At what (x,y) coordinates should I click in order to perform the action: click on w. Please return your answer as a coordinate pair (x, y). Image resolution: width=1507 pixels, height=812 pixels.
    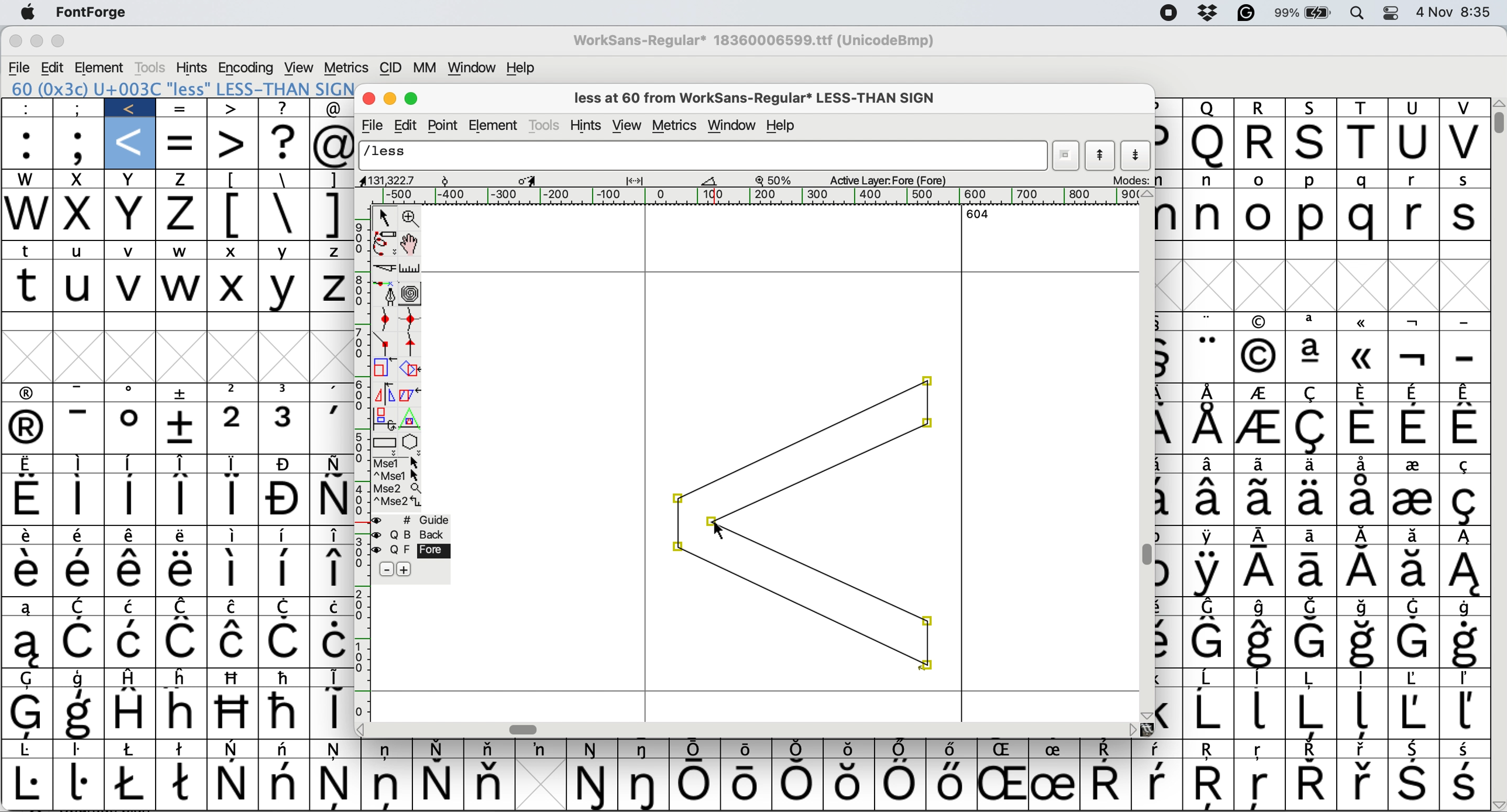
    Looking at the image, I should click on (27, 215).